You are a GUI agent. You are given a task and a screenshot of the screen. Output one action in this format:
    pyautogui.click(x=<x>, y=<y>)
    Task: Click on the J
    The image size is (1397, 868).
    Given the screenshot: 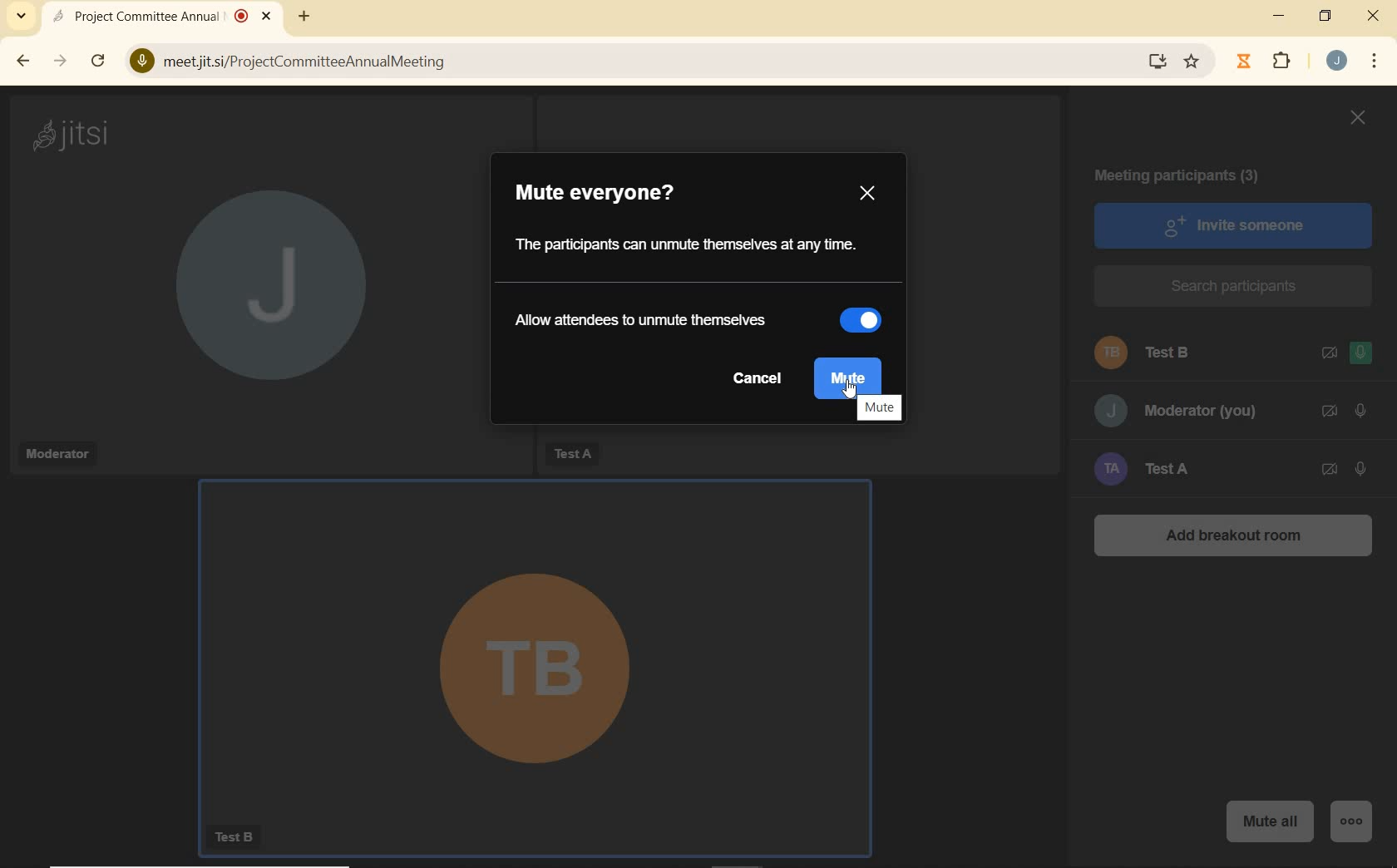 What is the action you would take?
    pyautogui.click(x=255, y=299)
    